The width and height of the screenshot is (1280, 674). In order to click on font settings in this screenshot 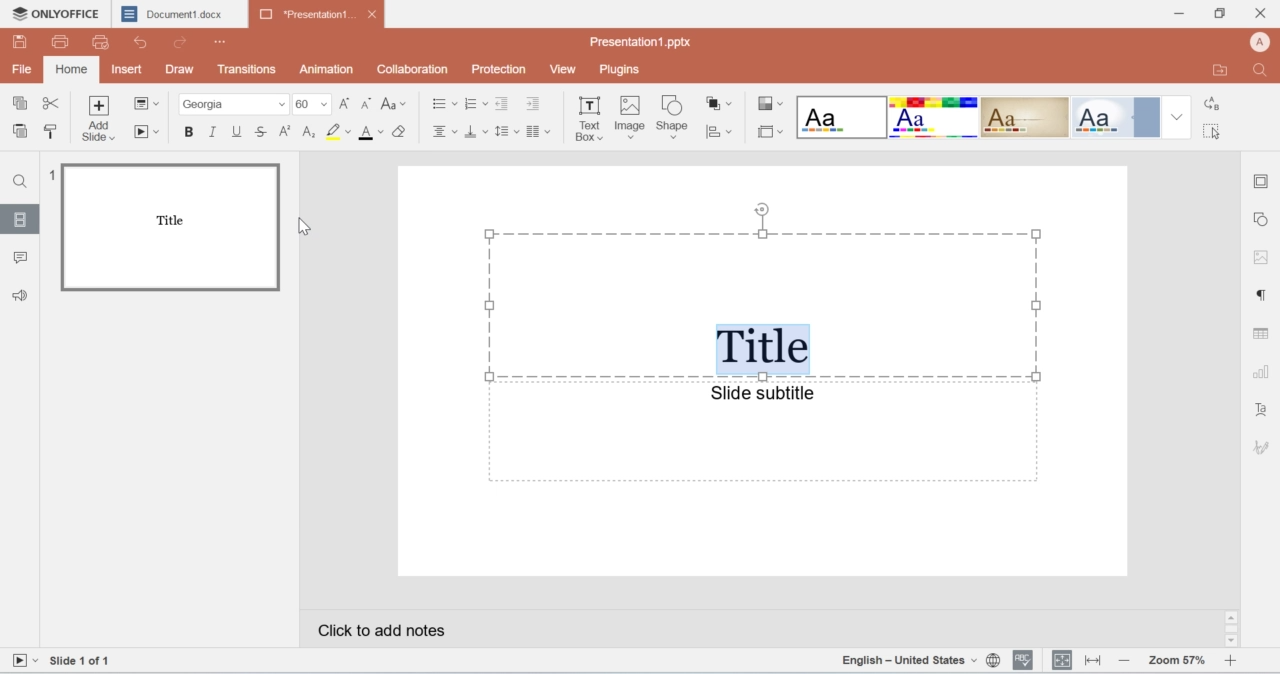, I will do `click(1264, 412)`.